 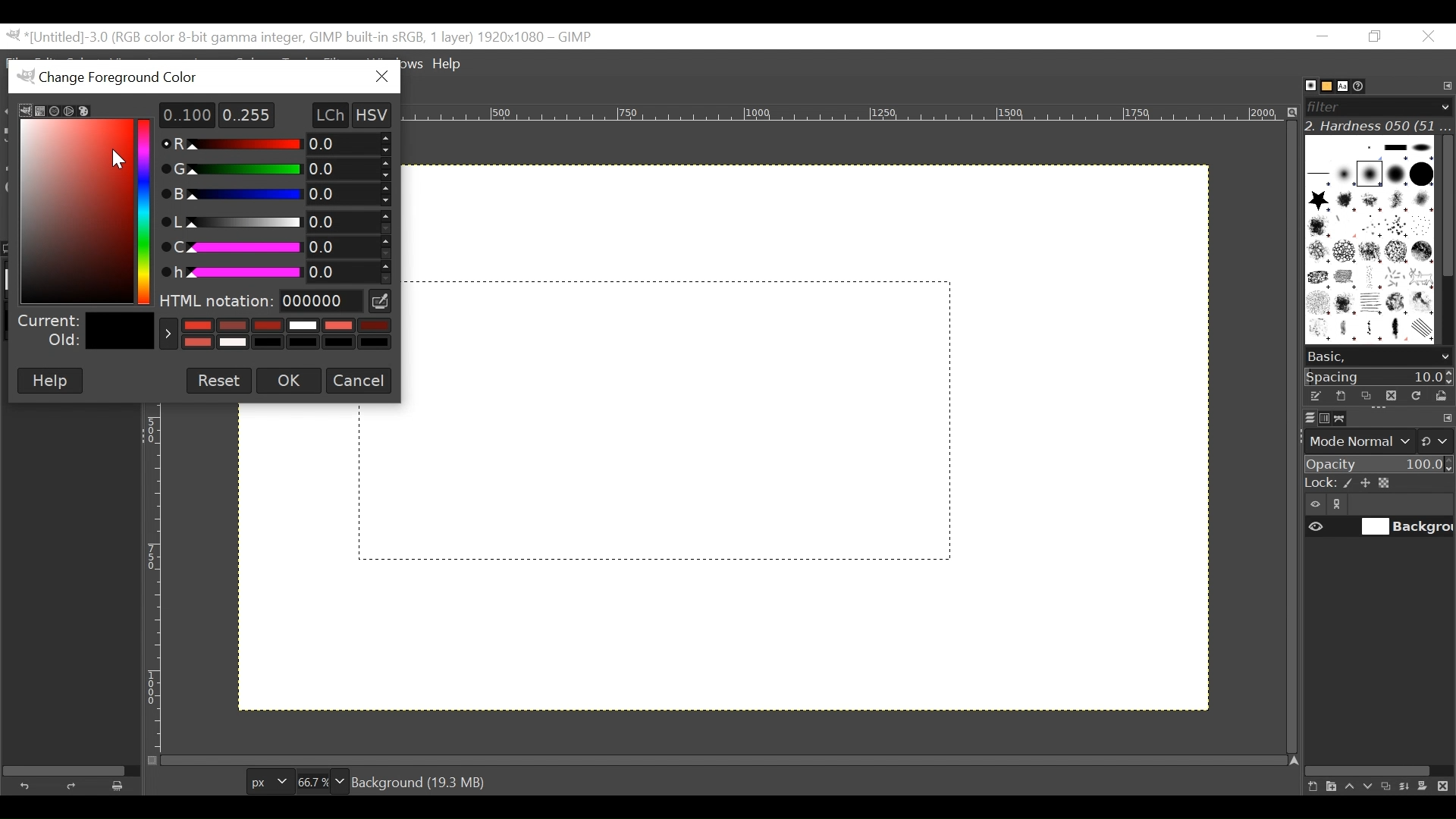 I want to click on Undo, so click(x=28, y=784).